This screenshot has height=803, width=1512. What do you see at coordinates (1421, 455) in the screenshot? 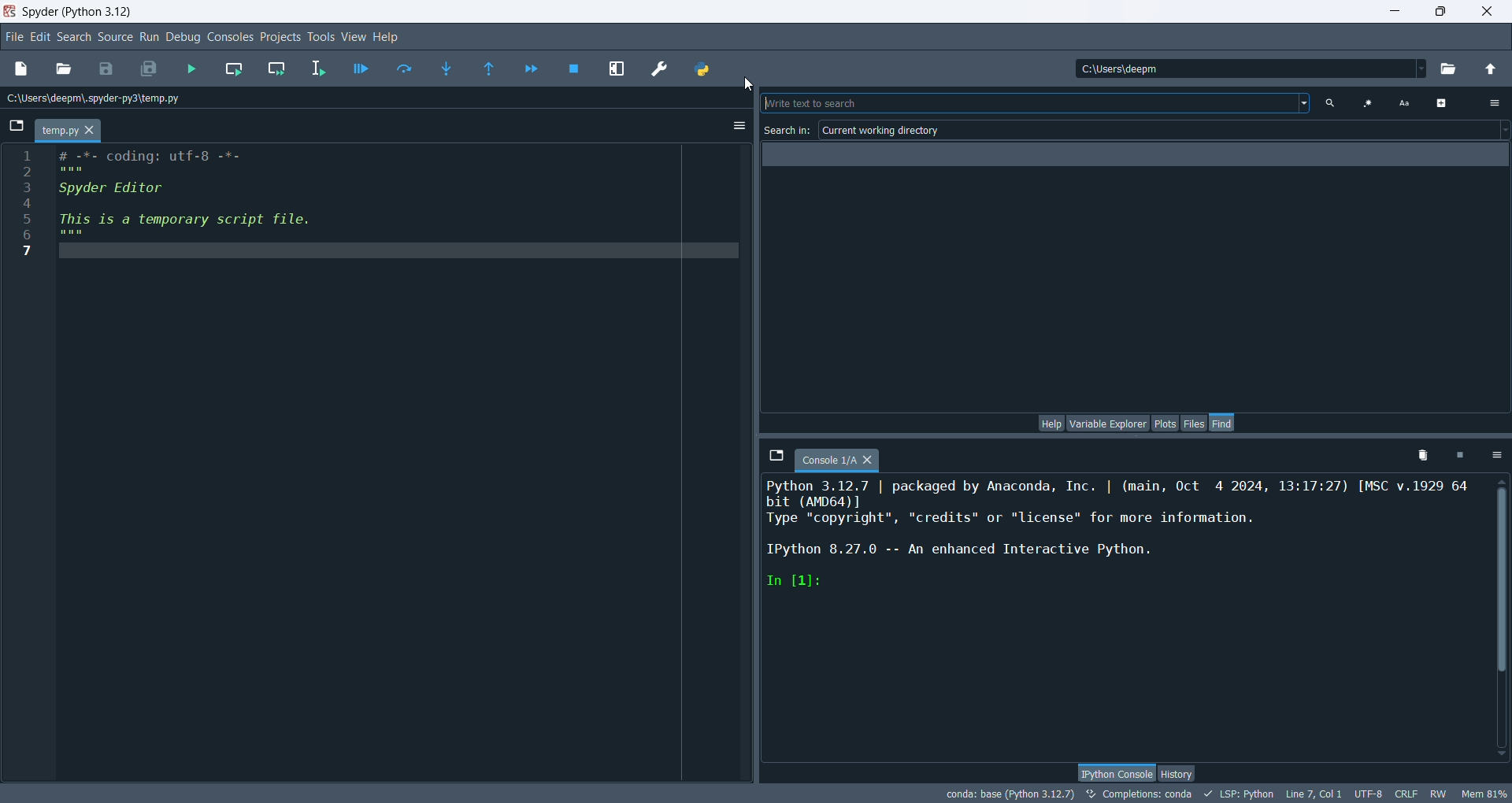
I see `remove` at bounding box center [1421, 455].